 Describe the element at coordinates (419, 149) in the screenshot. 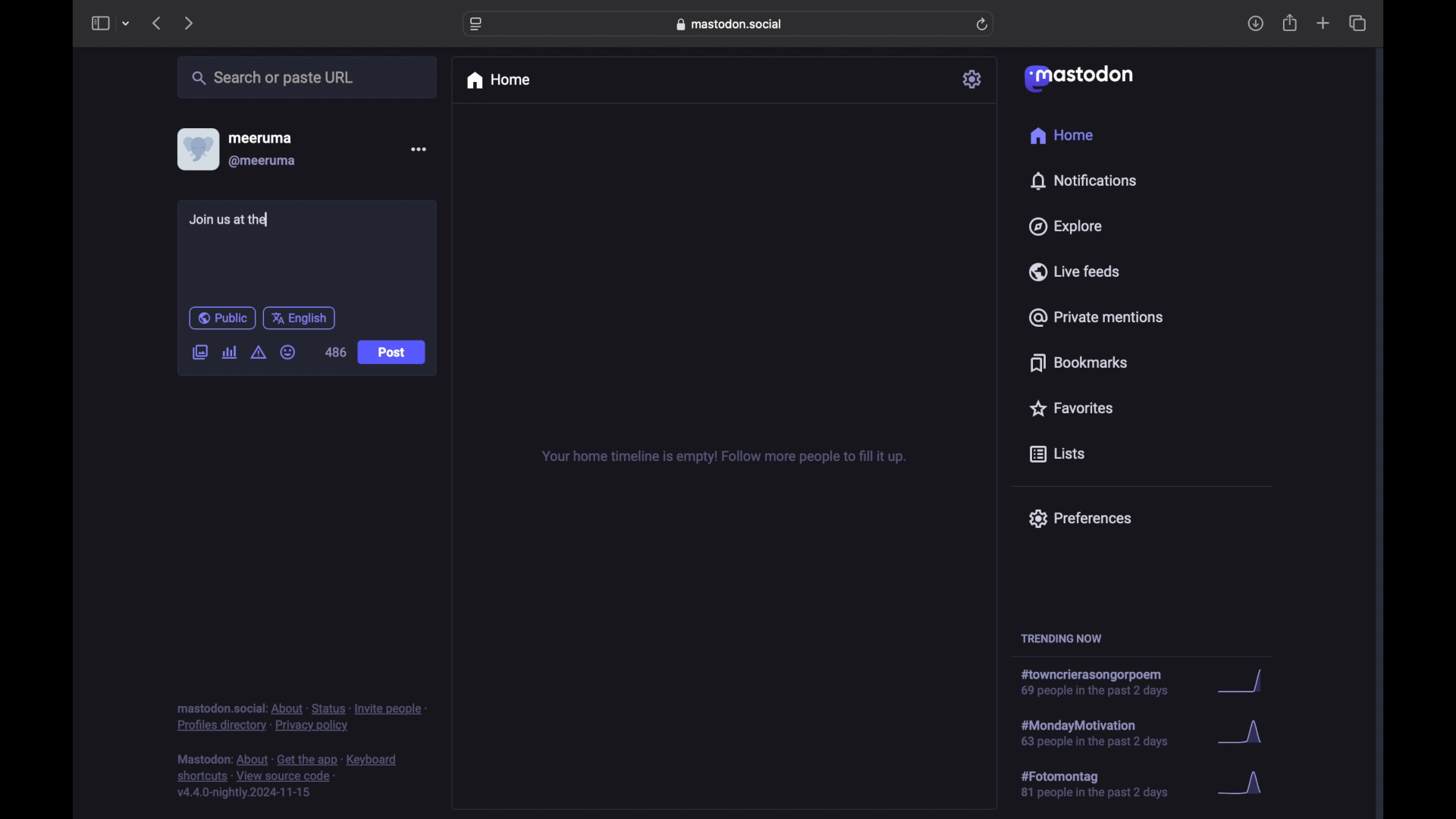

I see `more options` at that location.